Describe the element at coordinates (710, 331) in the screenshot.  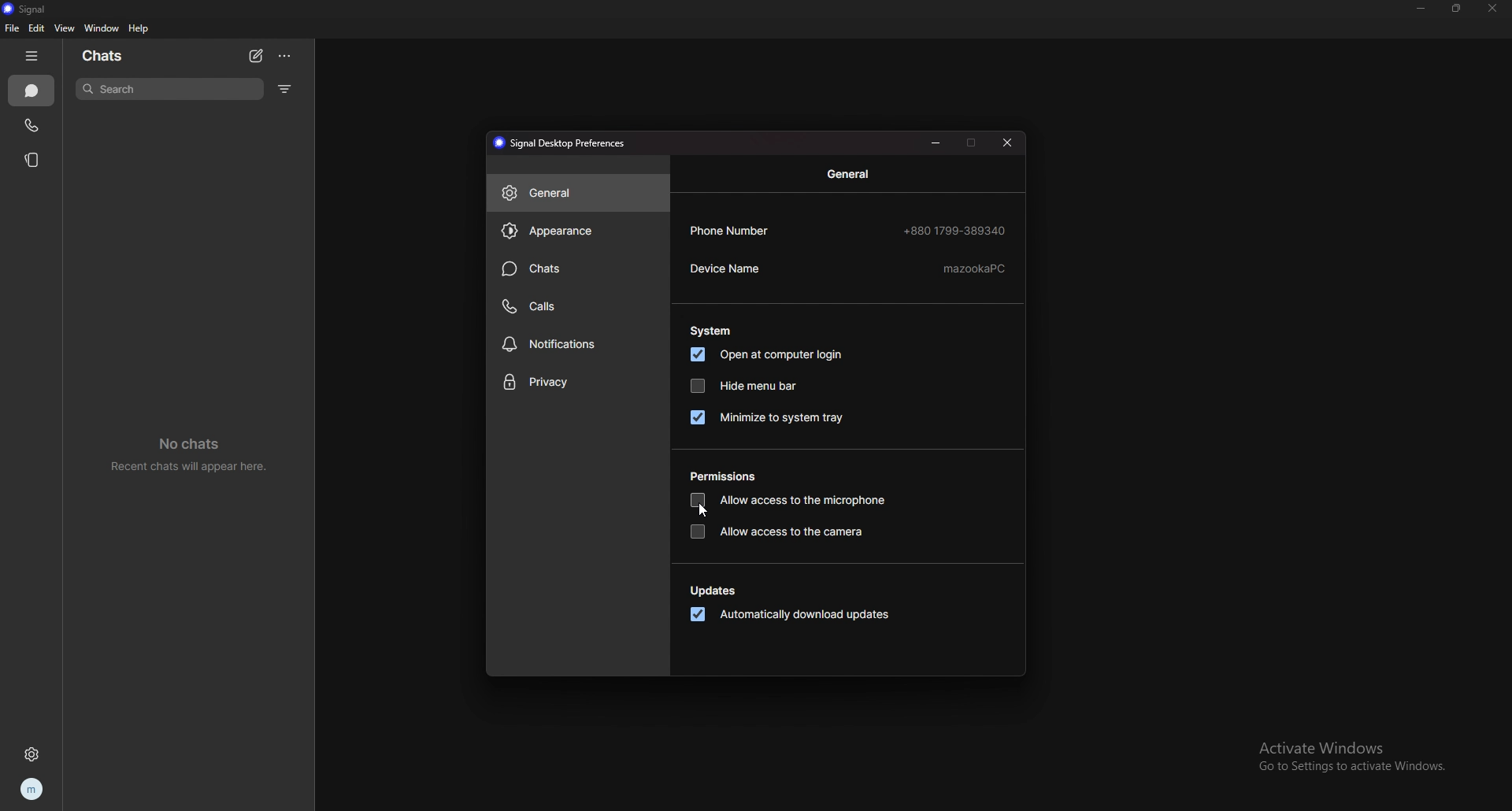
I see `system` at that location.